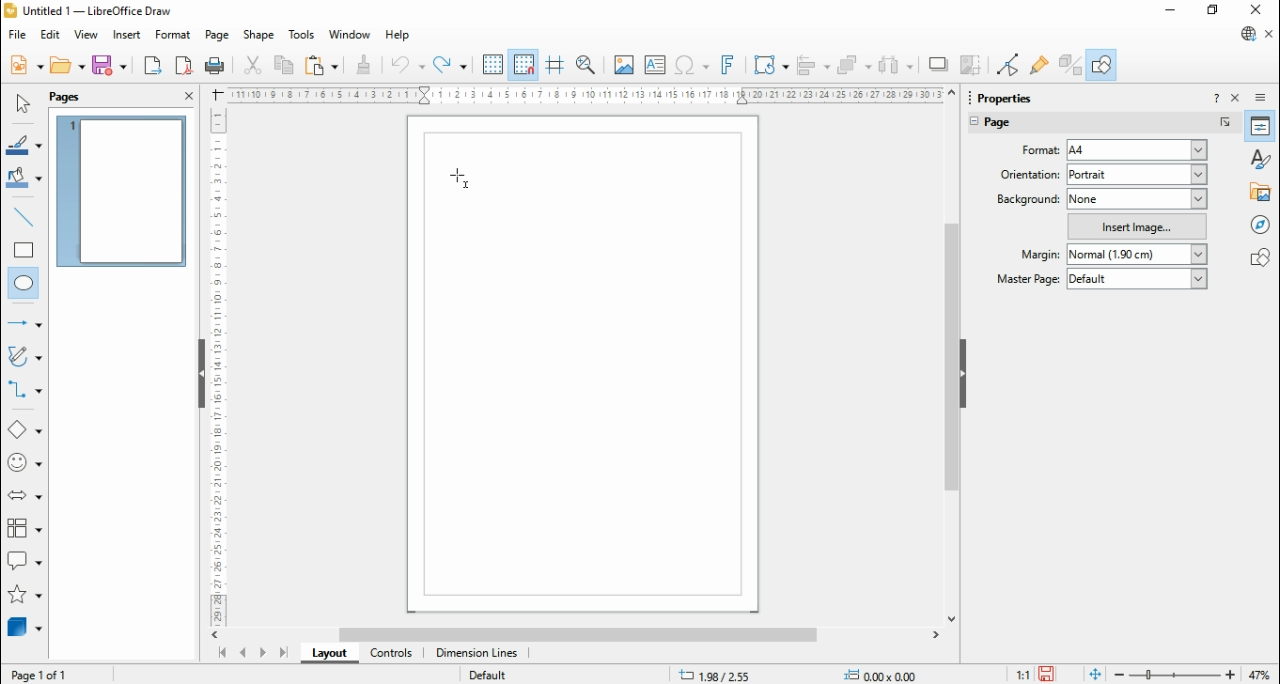  What do you see at coordinates (1247, 33) in the screenshot?
I see `libre office update` at bounding box center [1247, 33].